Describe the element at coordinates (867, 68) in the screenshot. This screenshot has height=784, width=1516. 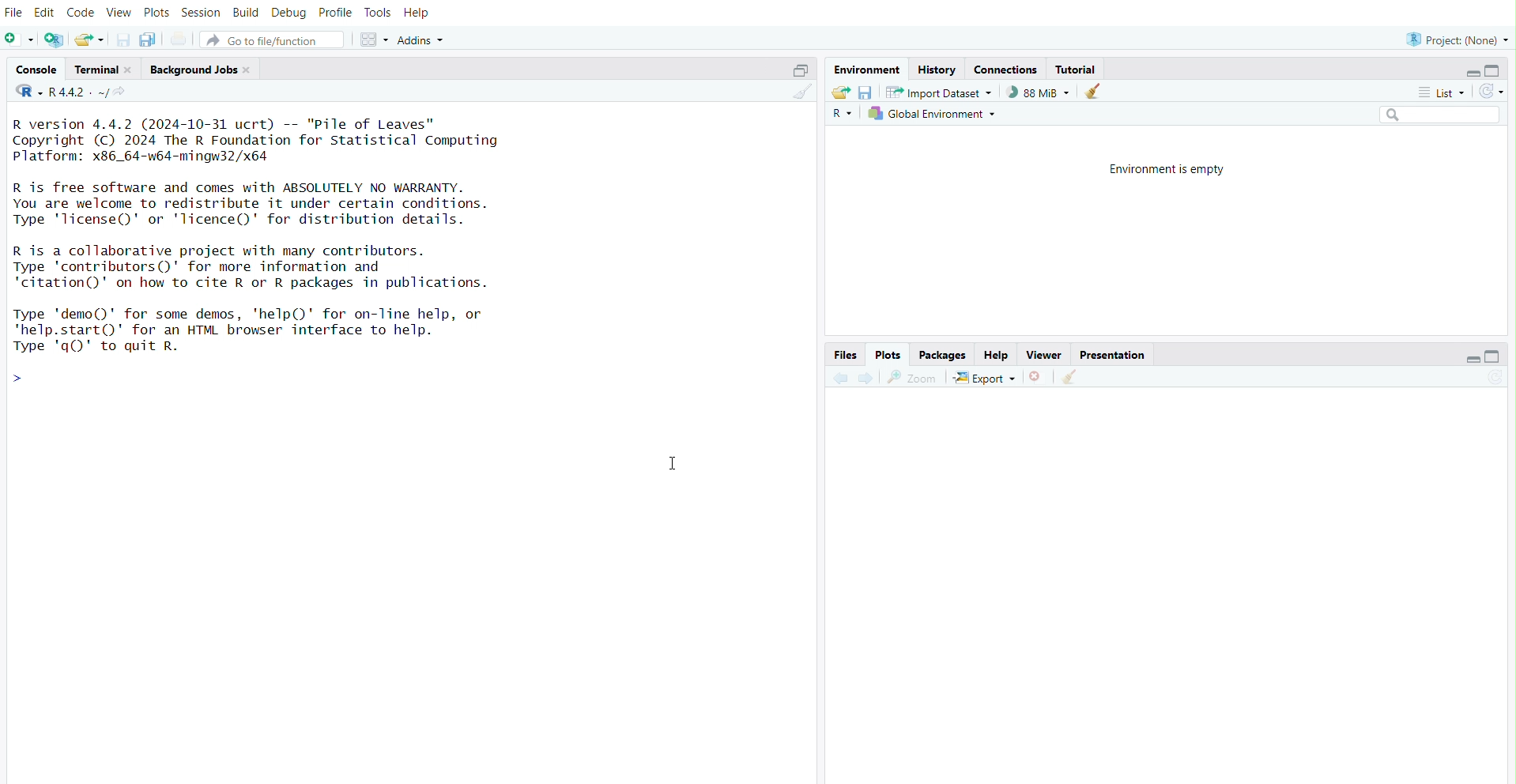
I see `environment` at that location.